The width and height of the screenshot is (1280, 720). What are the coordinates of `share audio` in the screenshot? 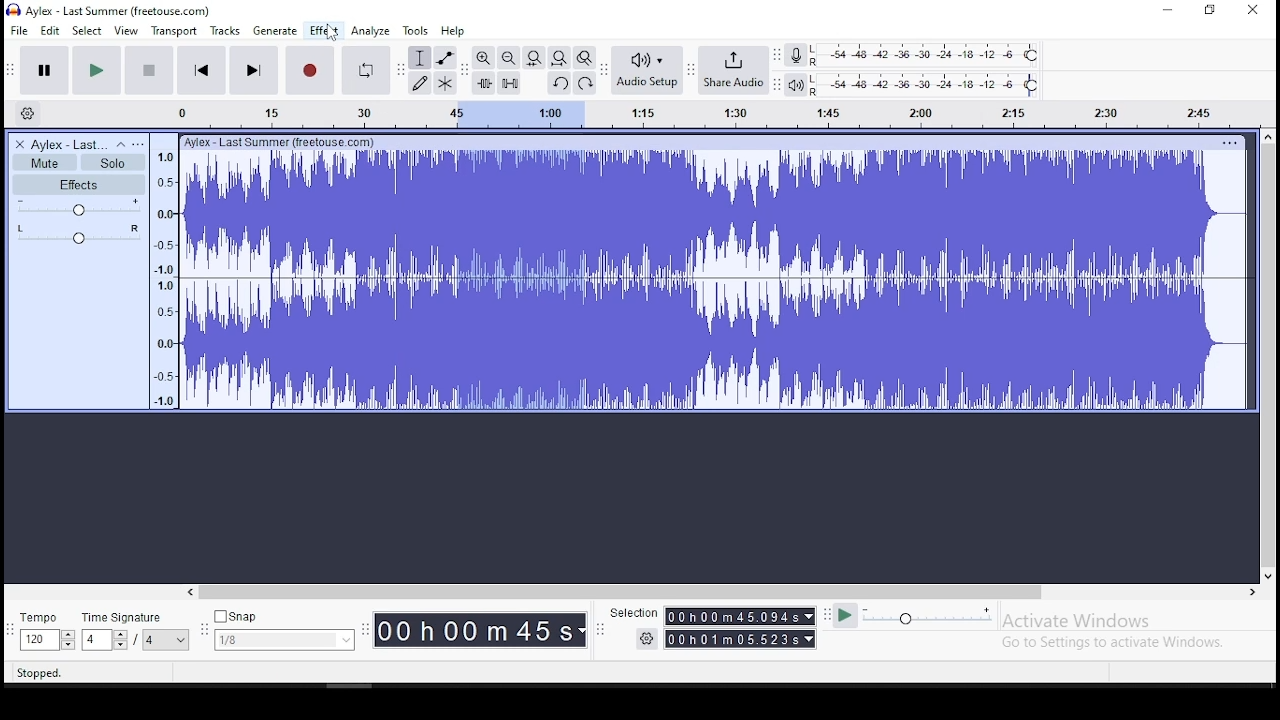 It's located at (736, 71).